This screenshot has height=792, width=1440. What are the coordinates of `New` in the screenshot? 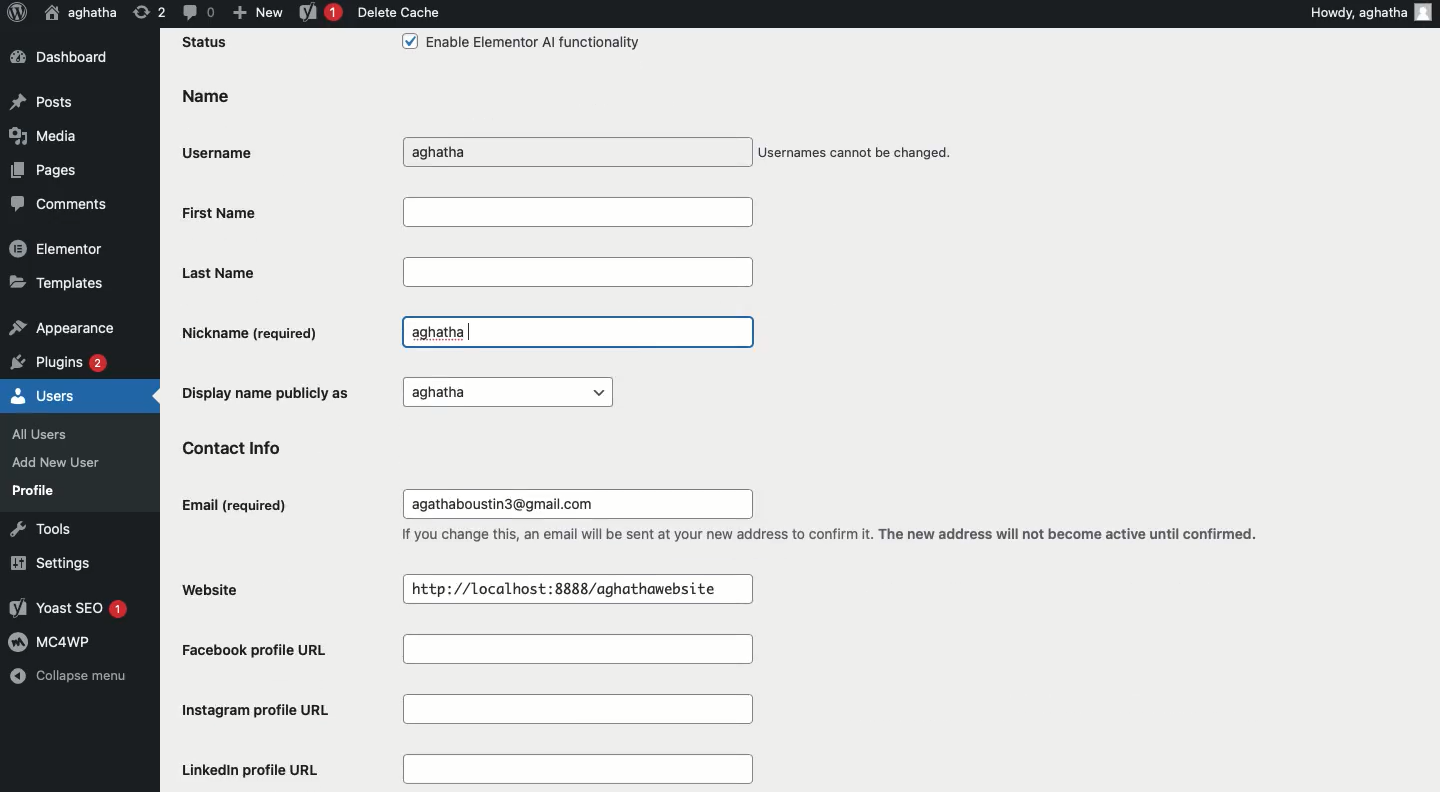 It's located at (257, 11).